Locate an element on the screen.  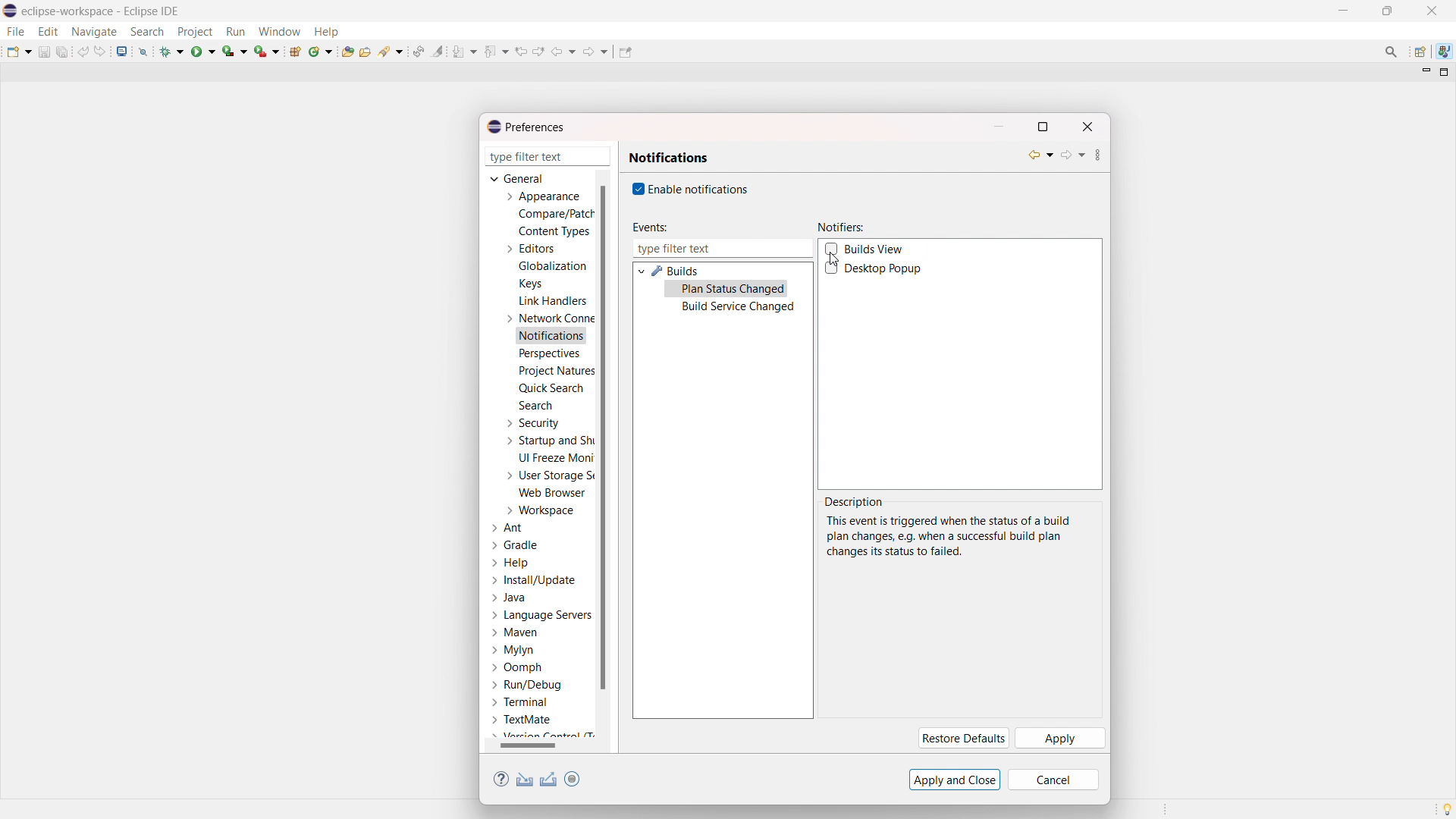
debug is located at coordinates (172, 51).